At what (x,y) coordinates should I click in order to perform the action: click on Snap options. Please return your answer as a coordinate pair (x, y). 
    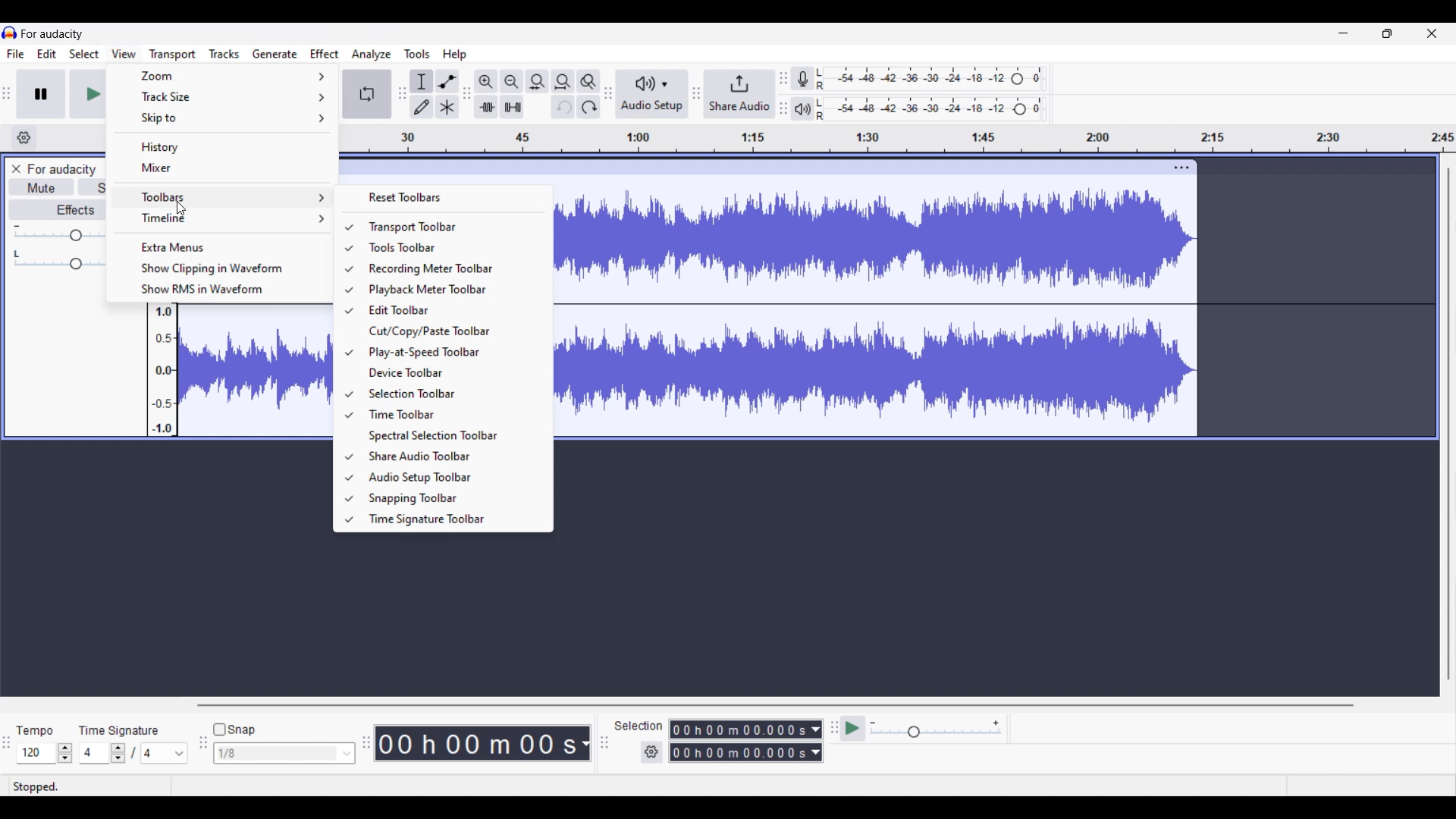
    Looking at the image, I should click on (285, 753).